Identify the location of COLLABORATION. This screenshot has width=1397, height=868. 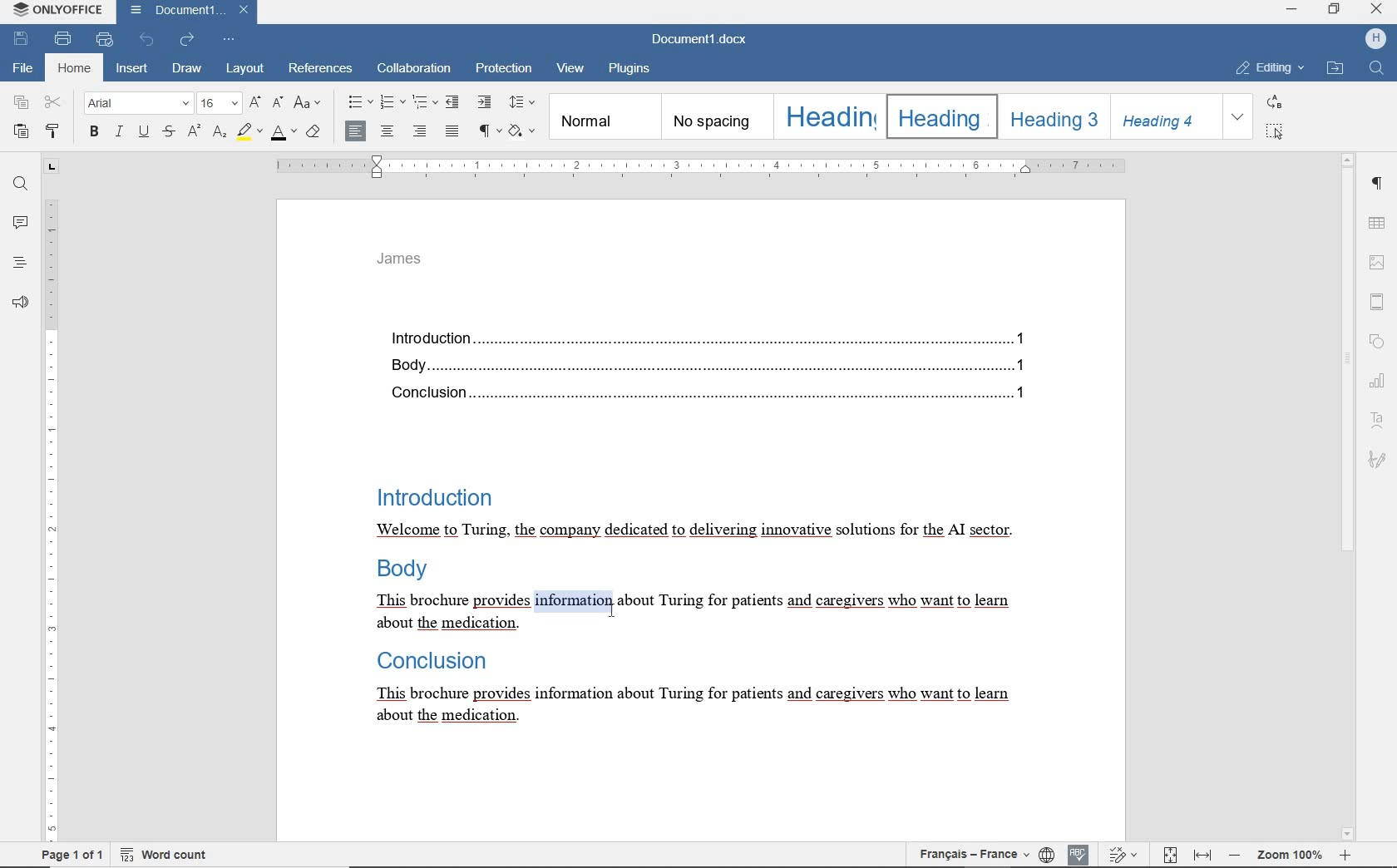
(413, 70).